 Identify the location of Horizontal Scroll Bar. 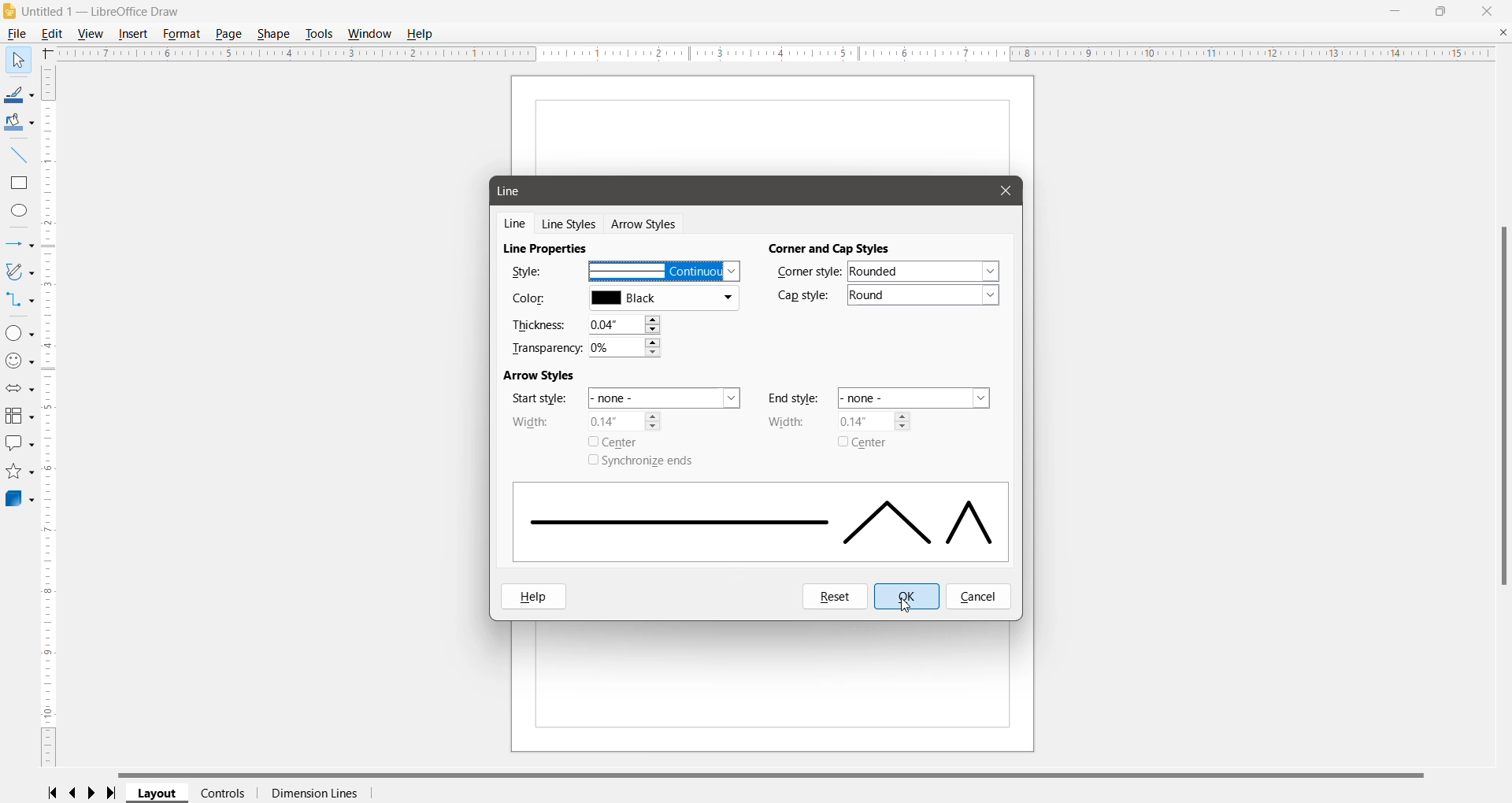
(773, 775).